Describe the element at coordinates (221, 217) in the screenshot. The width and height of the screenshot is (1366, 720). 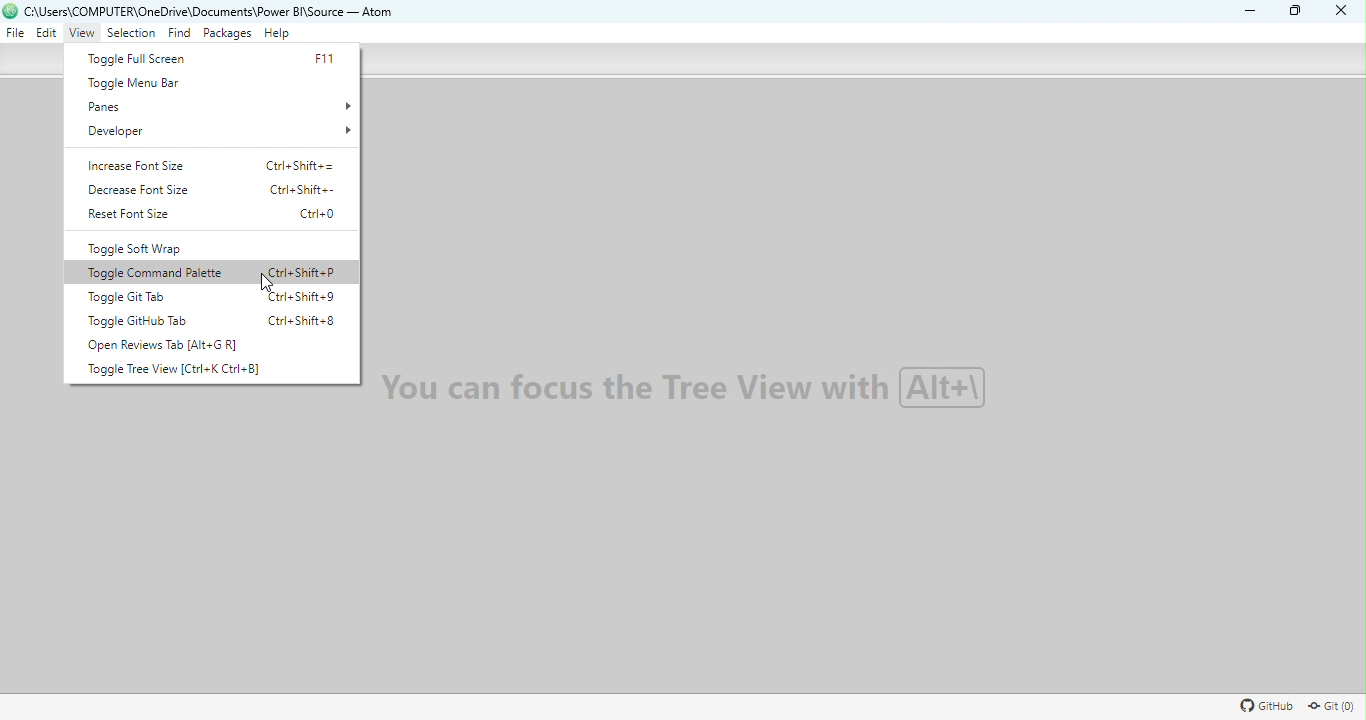
I see `Reset font size` at that location.